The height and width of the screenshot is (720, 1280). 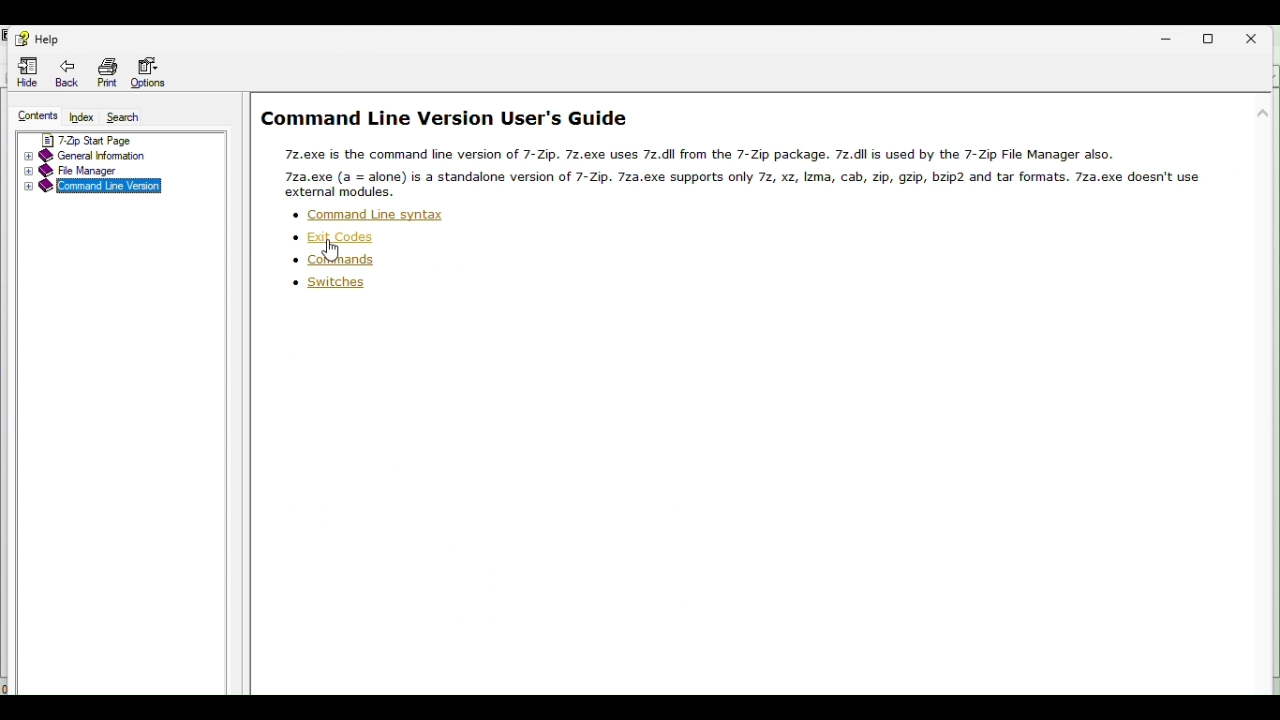 What do you see at coordinates (72, 72) in the screenshot?
I see `Back` at bounding box center [72, 72].